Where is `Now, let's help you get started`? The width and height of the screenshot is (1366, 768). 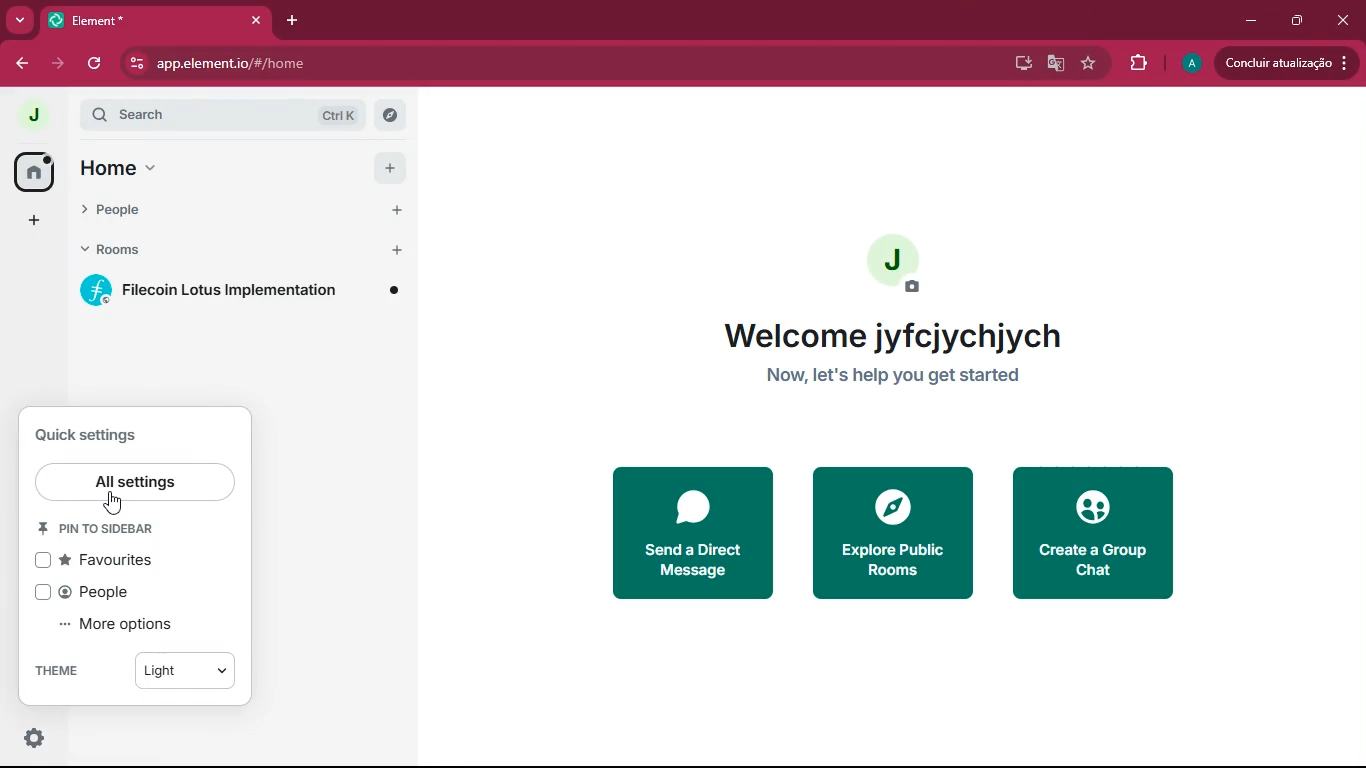
Now, let's help you get started is located at coordinates (915, 379).